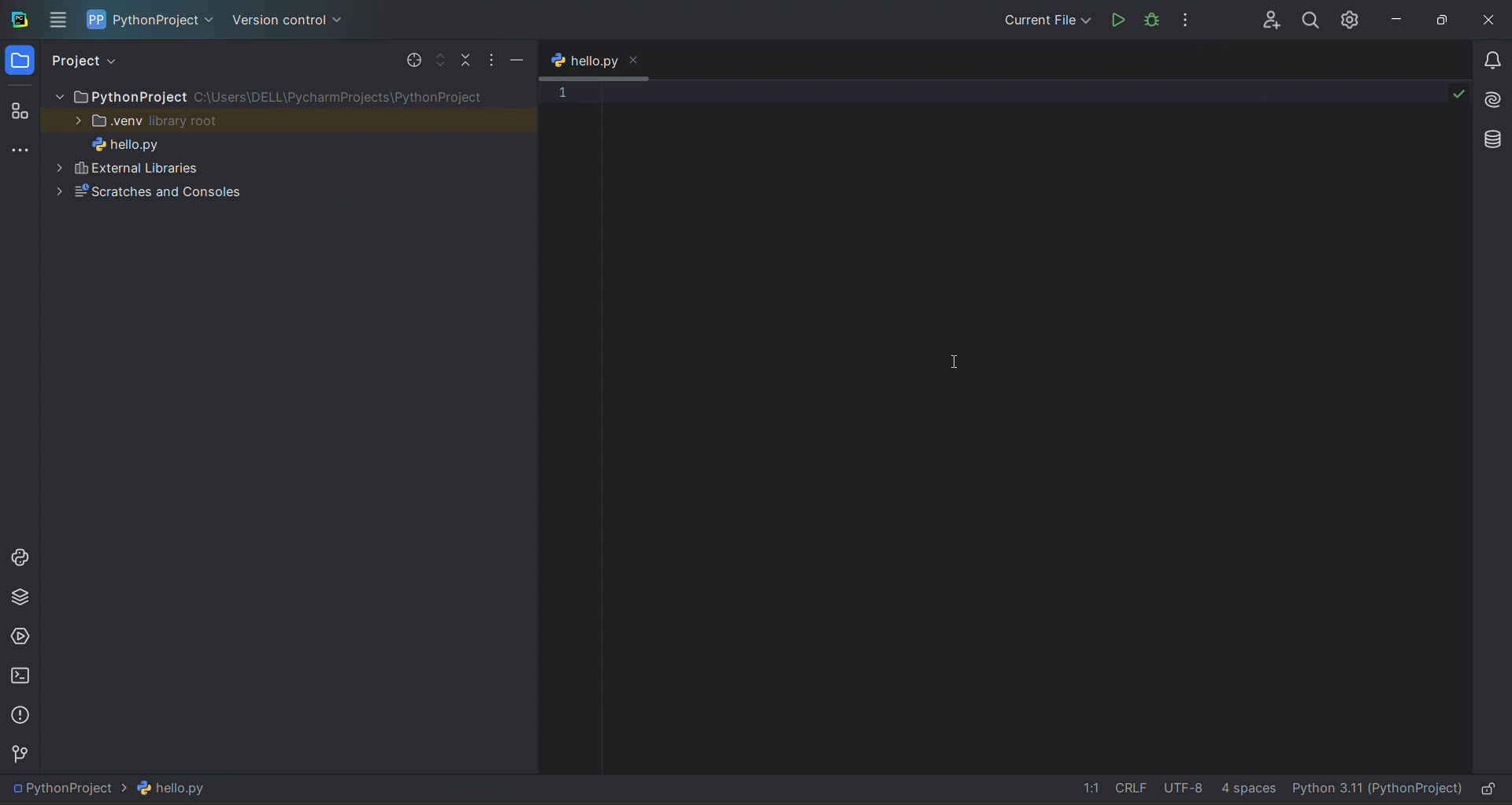 Image resolution: width=1512 pixels, height=805 pixels. I want to click on menu, so click(58, 19).